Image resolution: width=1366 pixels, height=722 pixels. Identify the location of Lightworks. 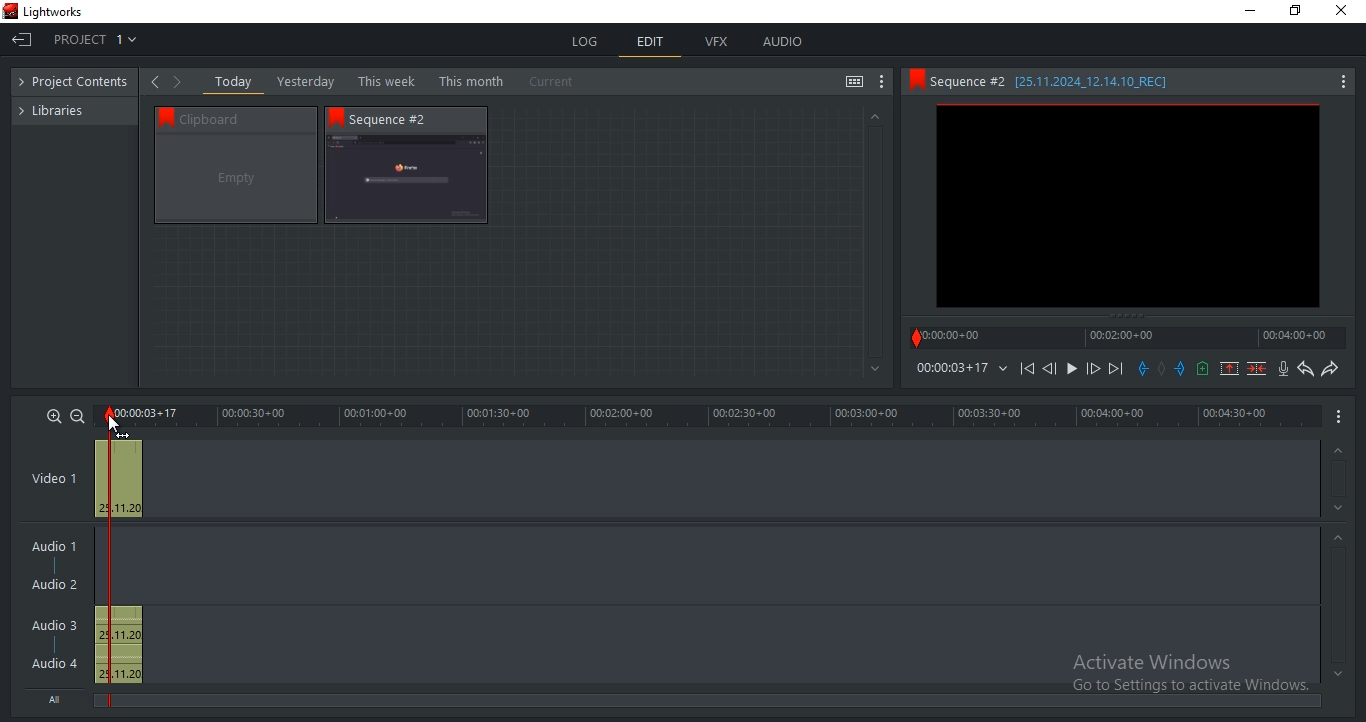
(54, 12).